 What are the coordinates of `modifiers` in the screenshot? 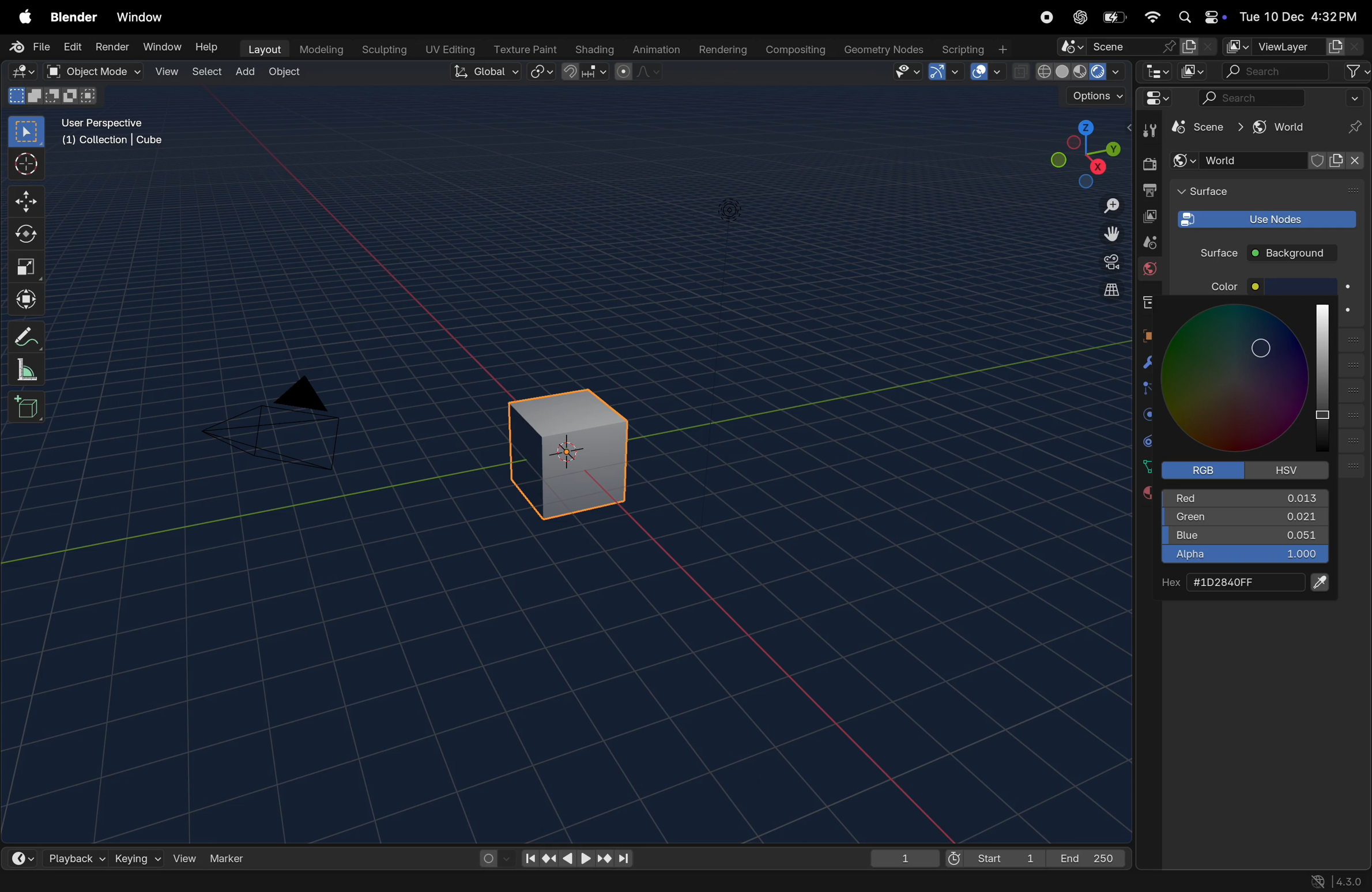 It's located at (1147, 362).